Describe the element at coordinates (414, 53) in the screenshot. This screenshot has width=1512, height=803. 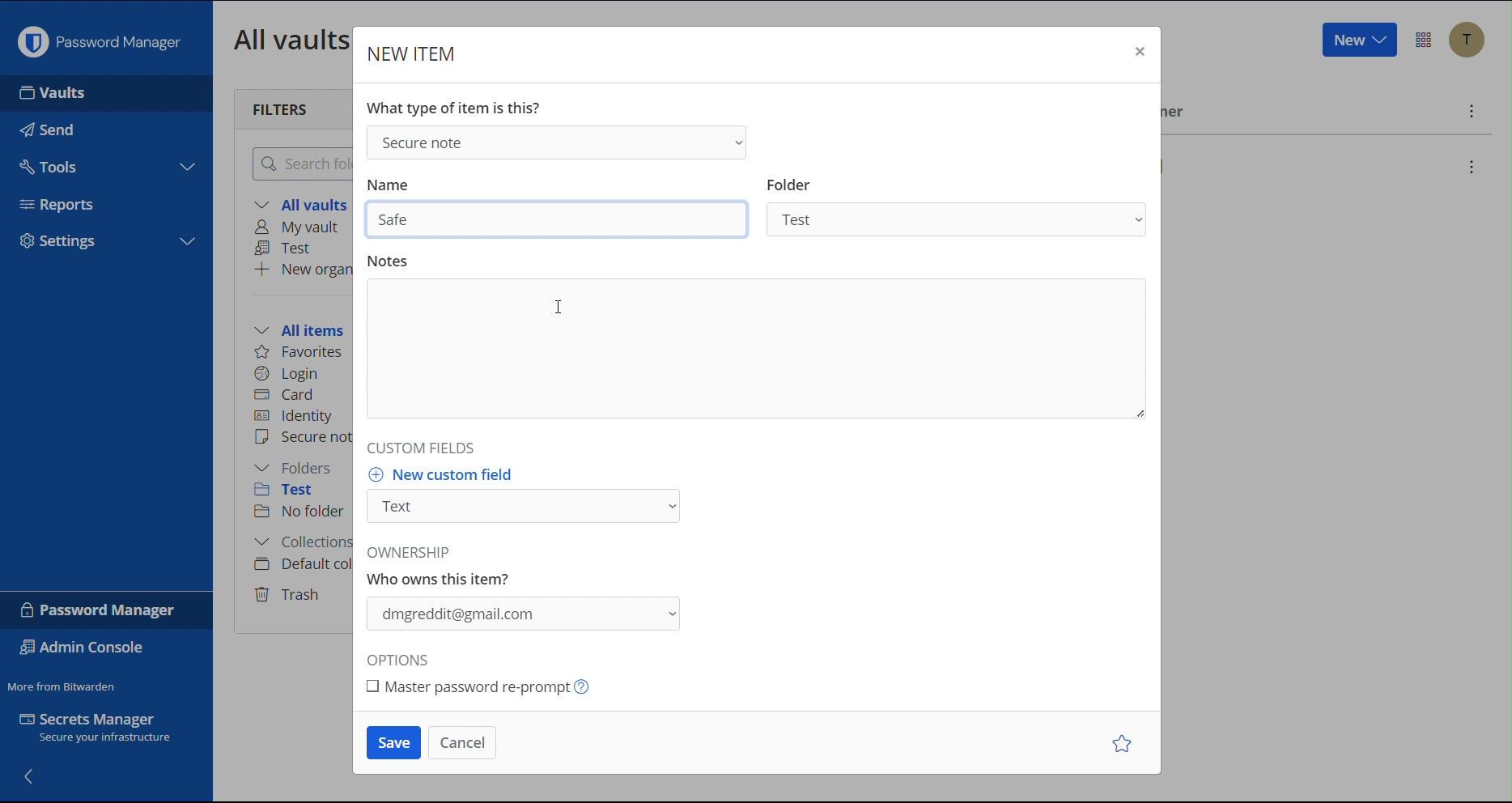
I see `New Item` at that location.